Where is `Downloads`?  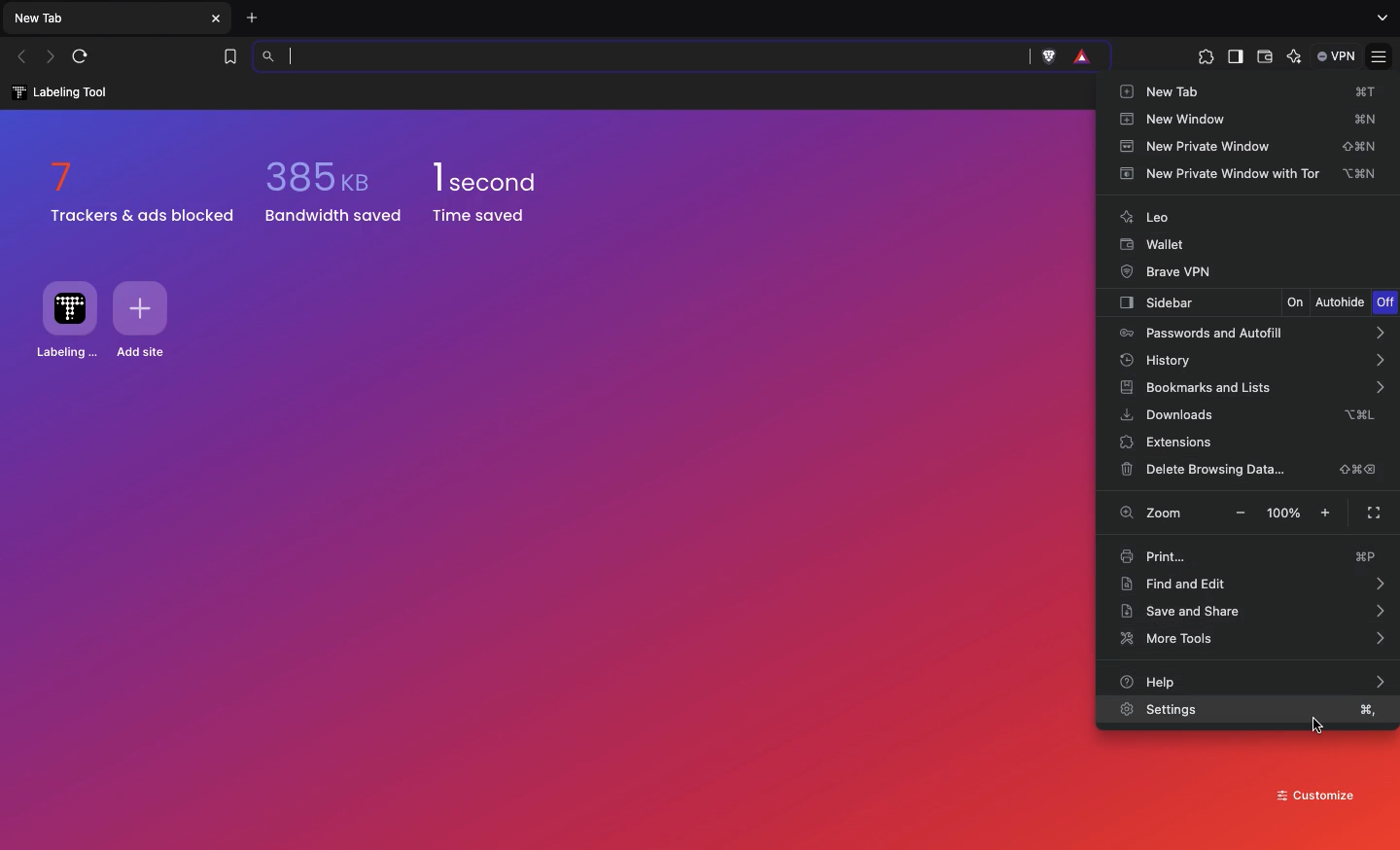 Downloads is located at coordinates (1246, 416).